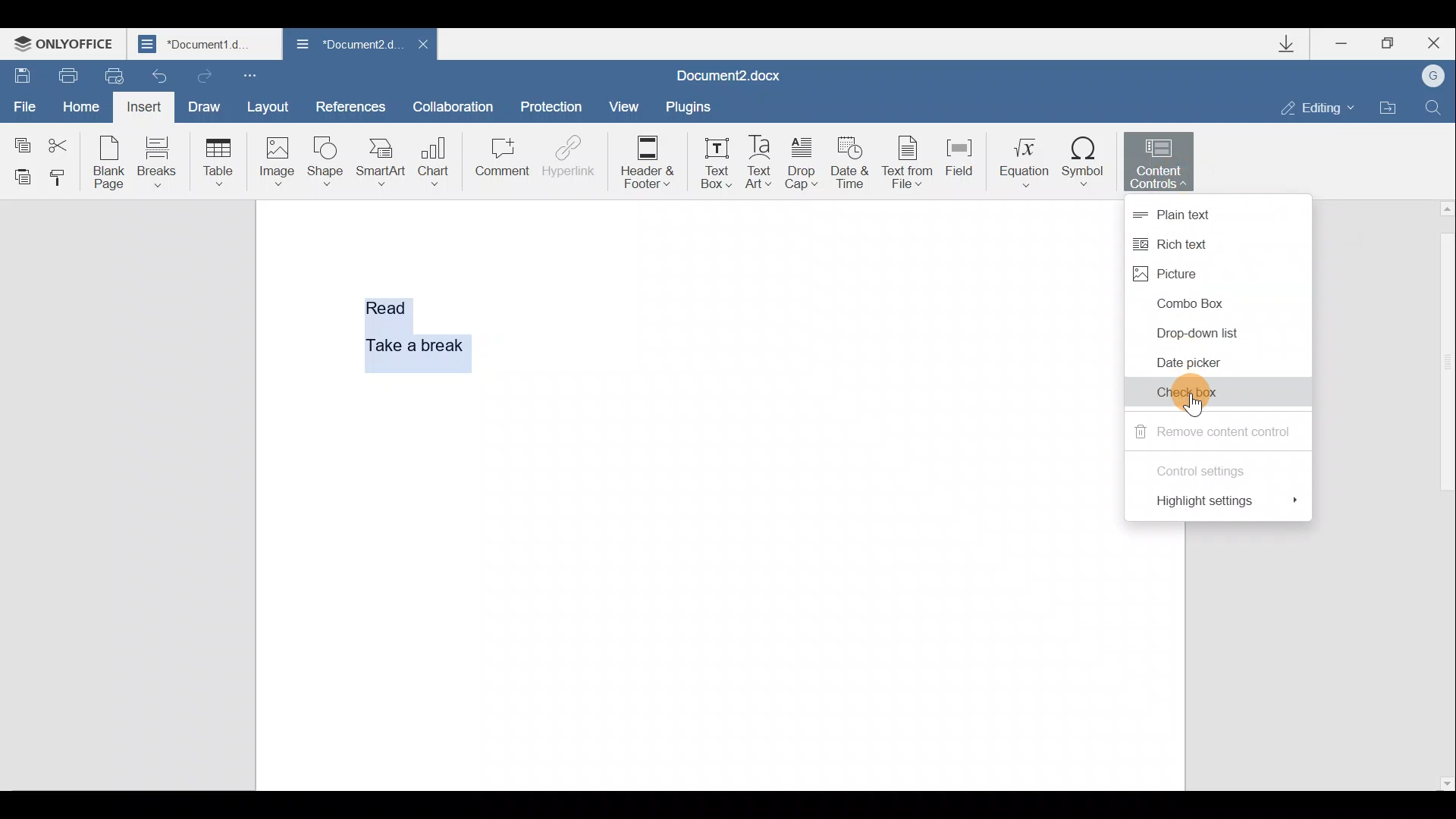 The width and height of the screenshot is (1456, 819). I want to click on Document2.docx, so click(729, 75).